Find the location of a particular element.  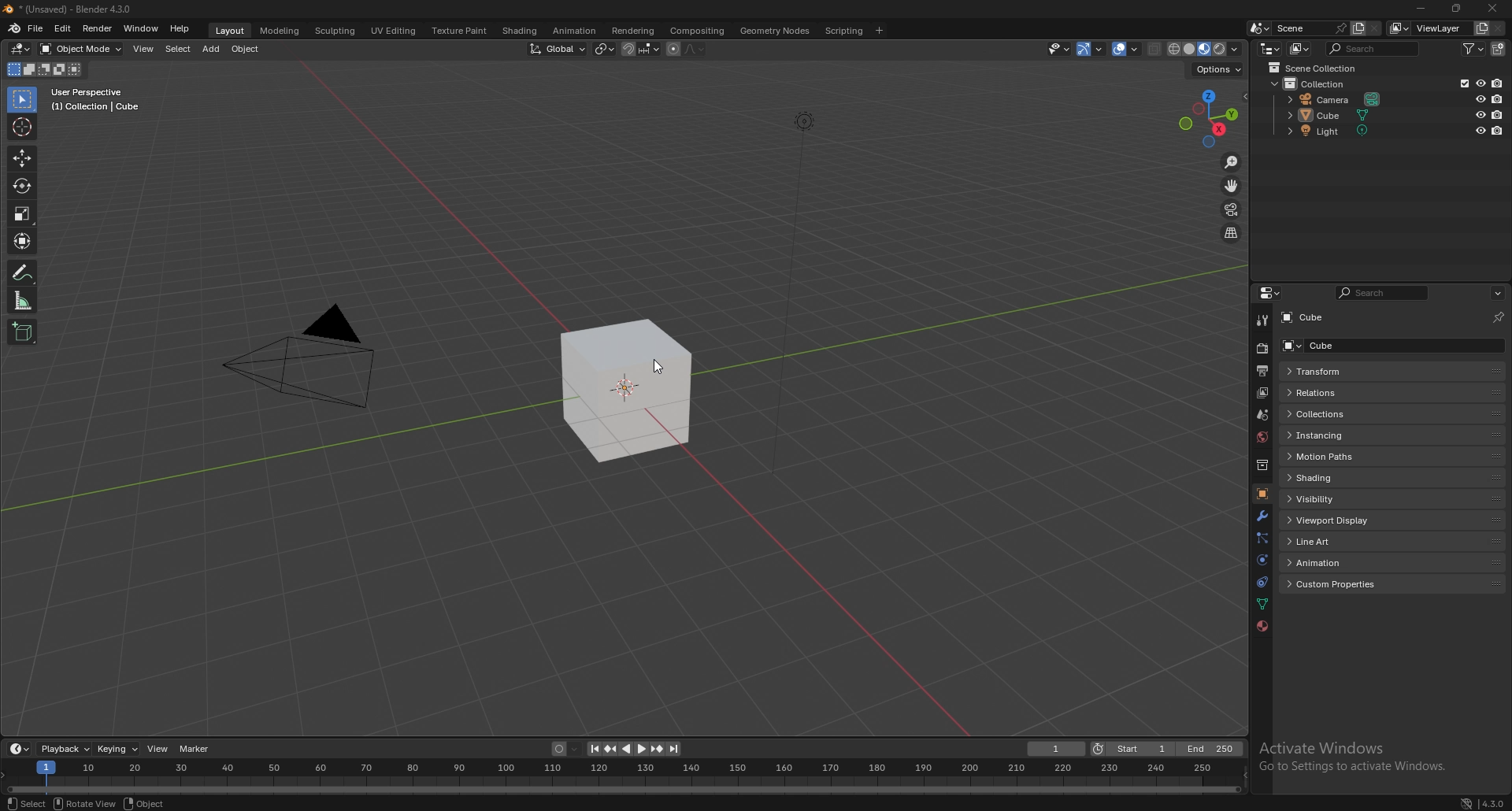

add is located at coordinates (213, 49).